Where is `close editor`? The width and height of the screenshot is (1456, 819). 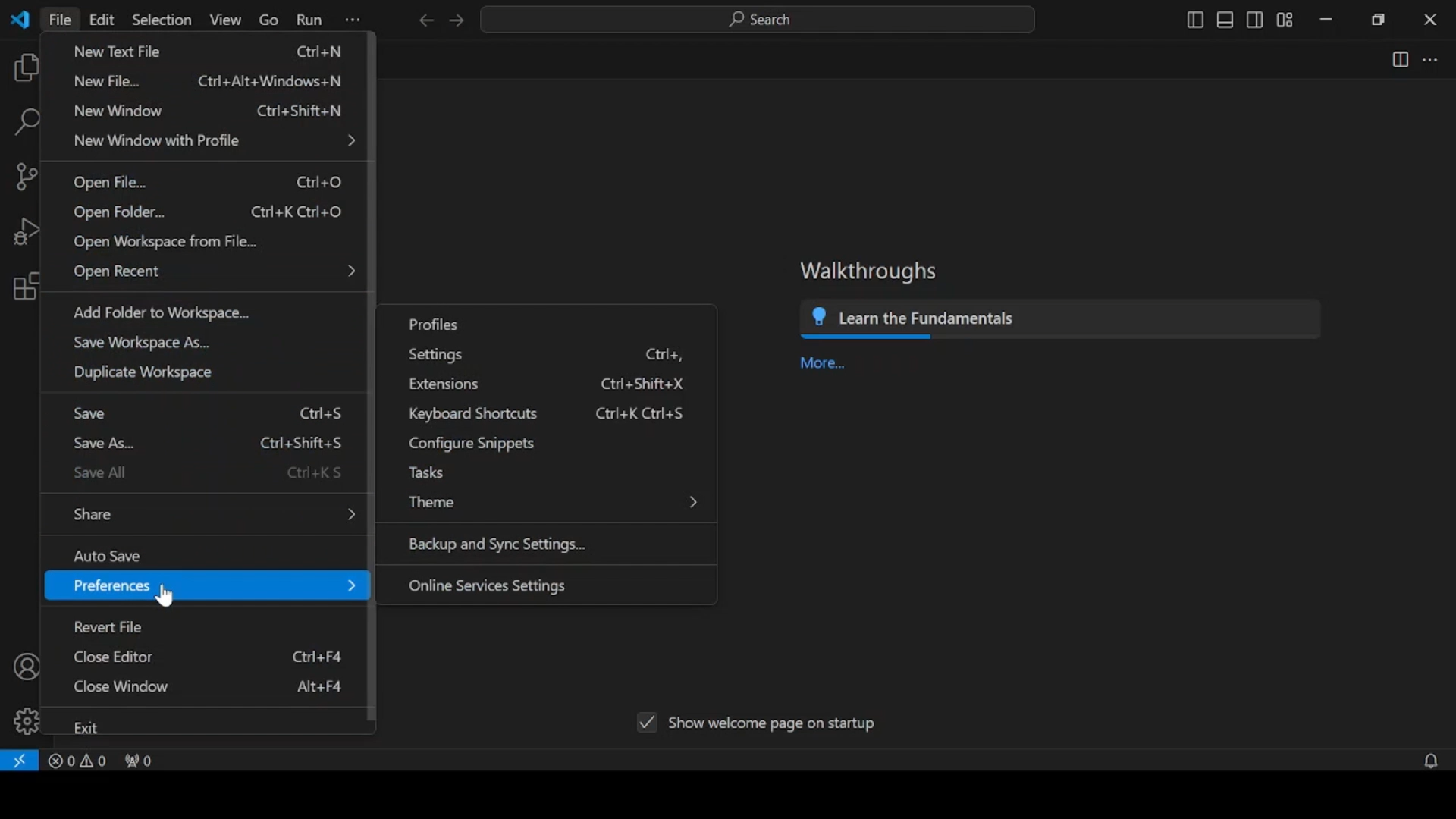 close editor is located at coordinates (116, 657).